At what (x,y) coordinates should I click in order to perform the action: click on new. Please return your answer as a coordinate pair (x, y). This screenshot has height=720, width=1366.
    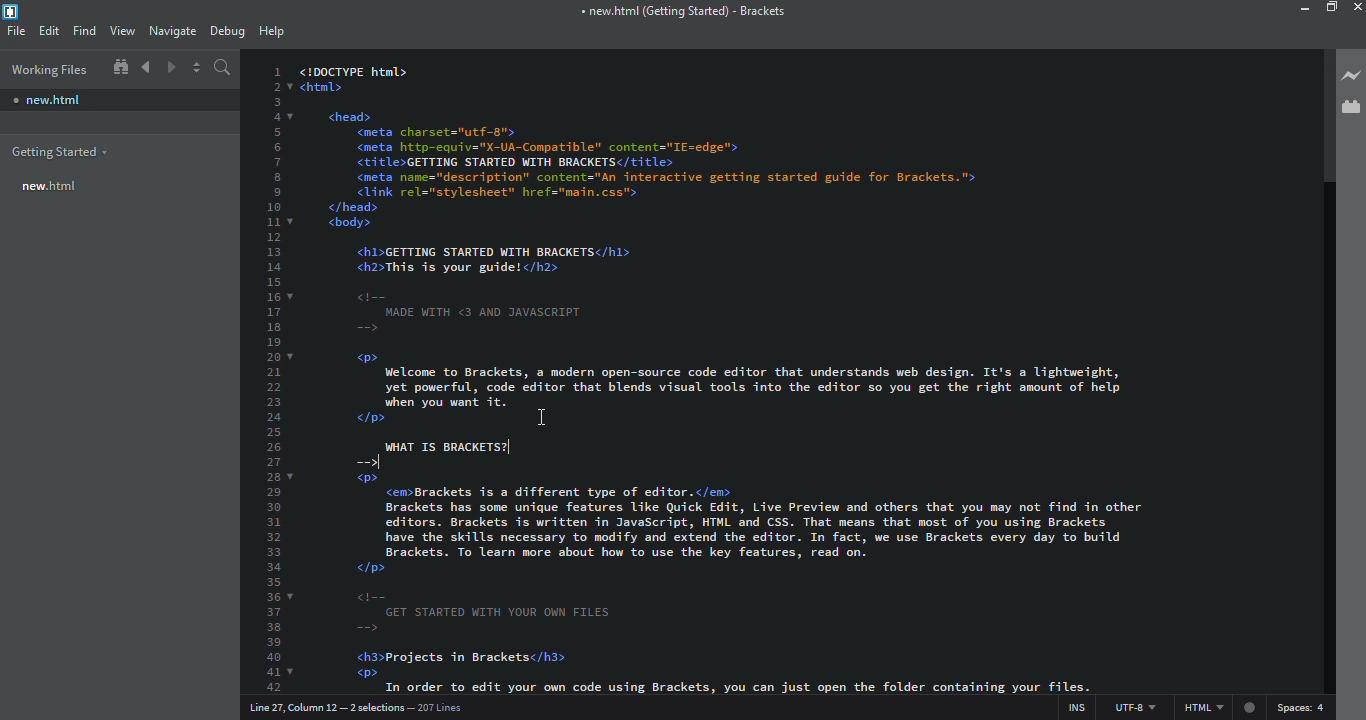
    Looking at the image, I should click on (48, 186).